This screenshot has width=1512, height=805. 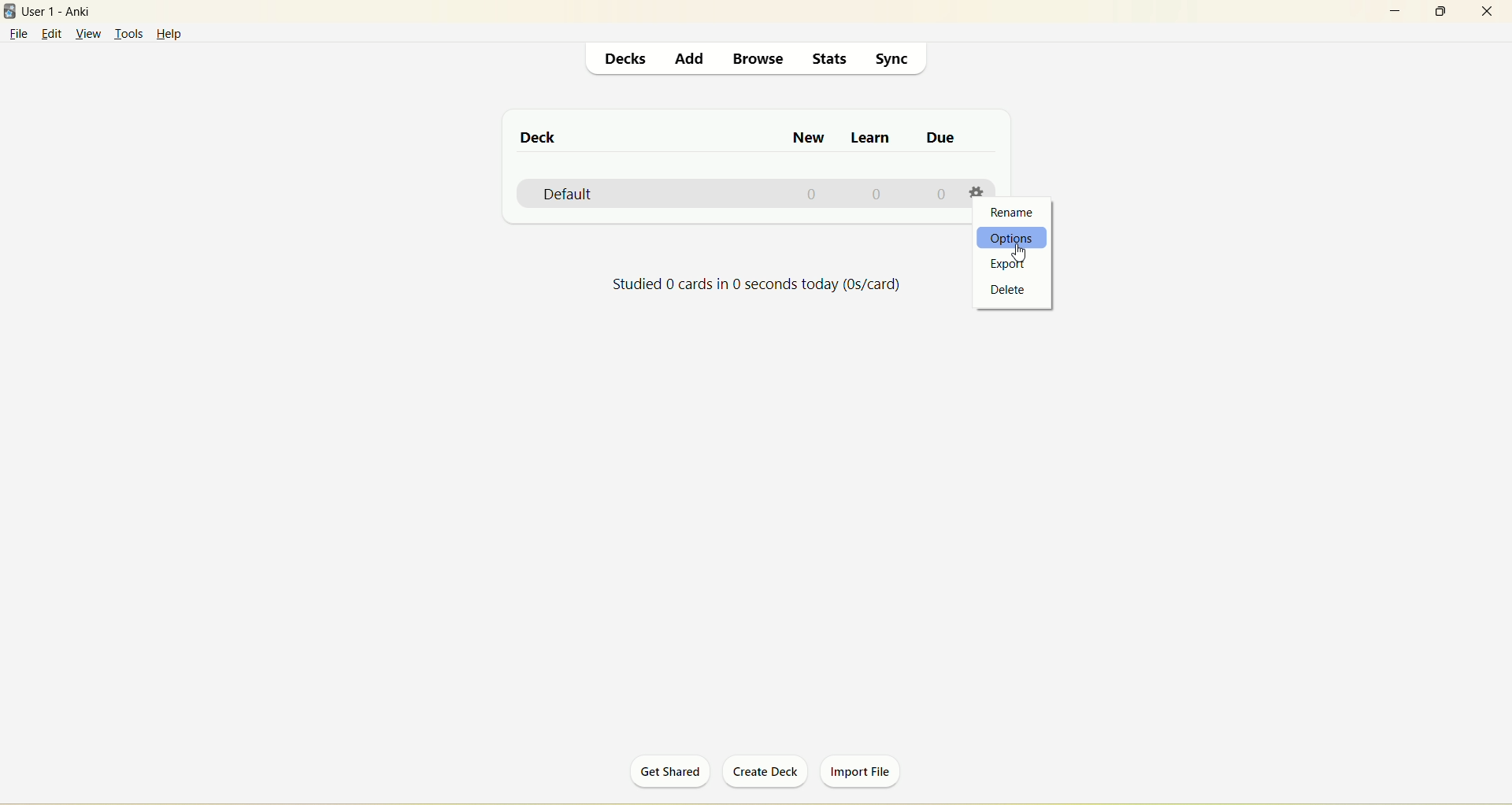 What do you see at coordinates (573, 195) in the screenshot?
I see `default` at bounding box center [573, 195].